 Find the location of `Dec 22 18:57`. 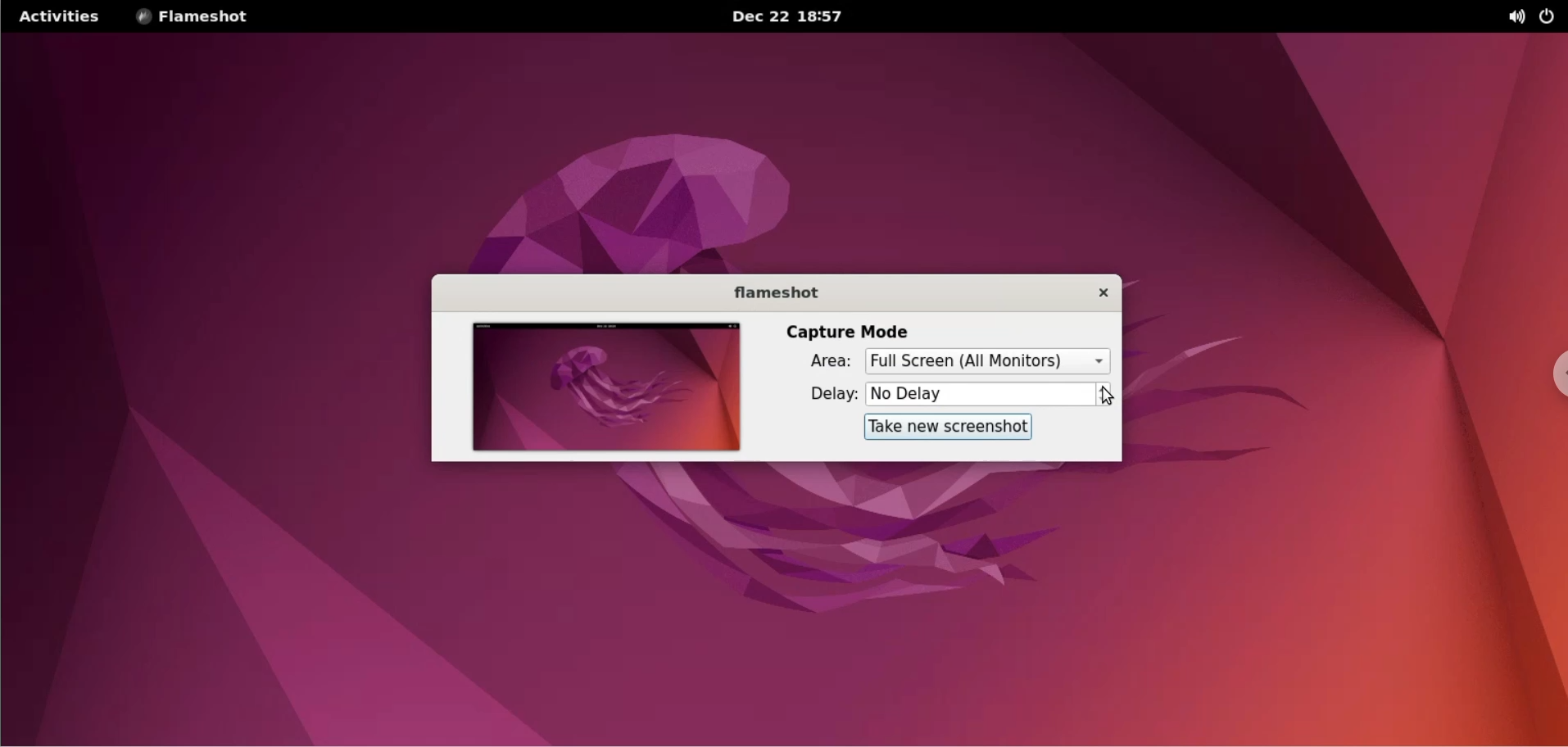

Dec 22 18:57 is located at coordinates (791, 17).